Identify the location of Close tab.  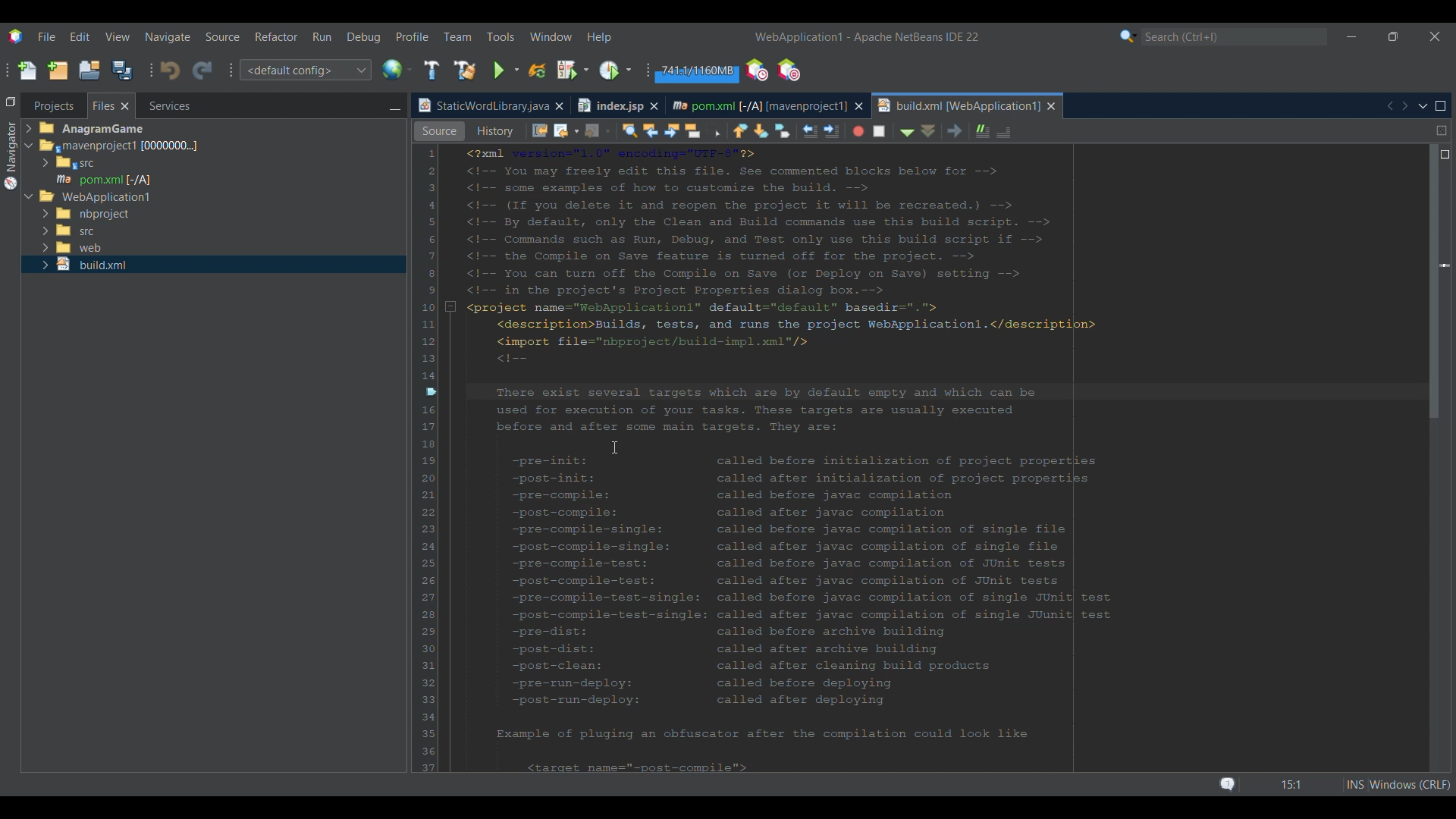
(859, 106).